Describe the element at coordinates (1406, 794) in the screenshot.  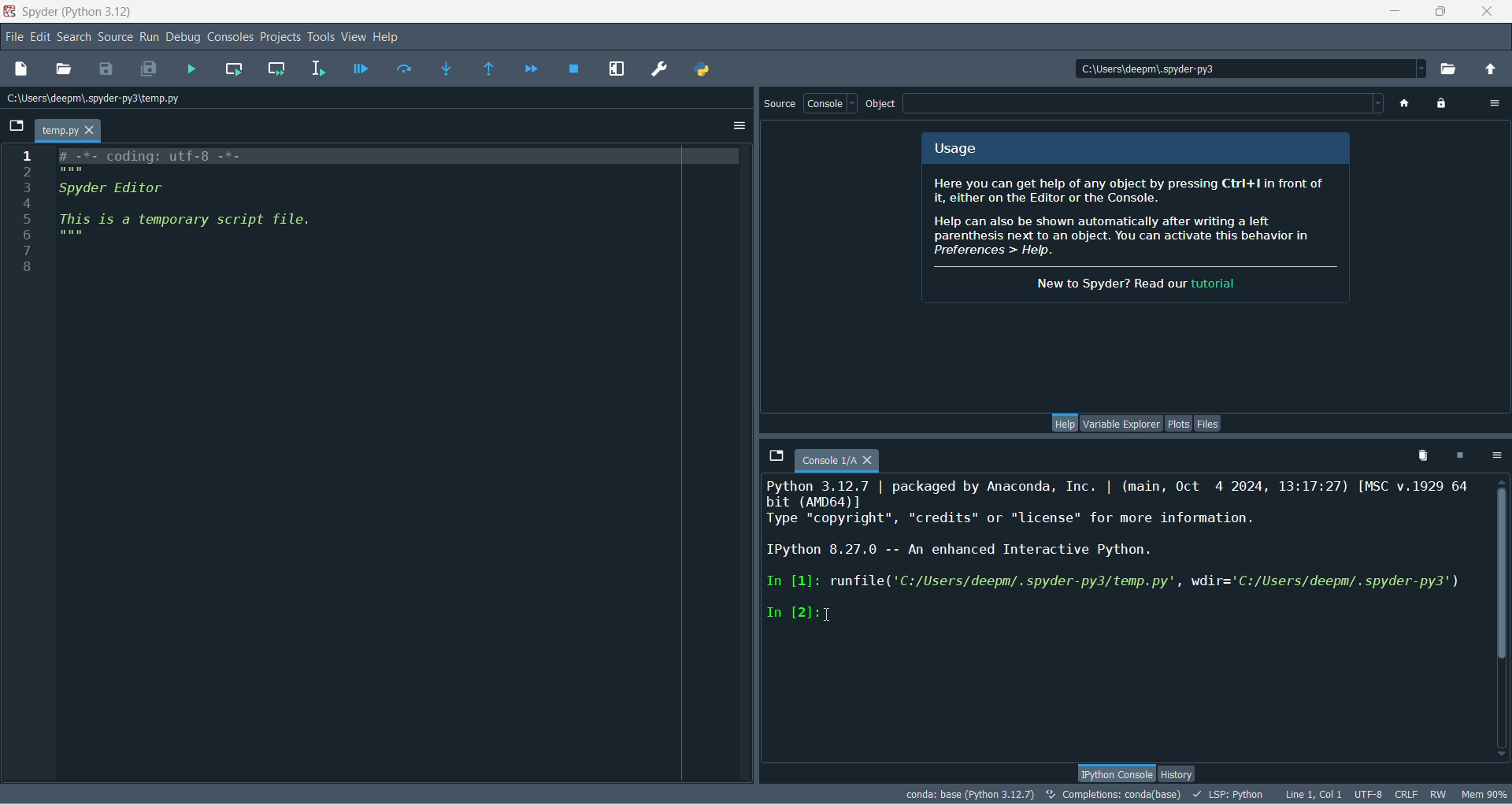
I see `CRLF` at that location.